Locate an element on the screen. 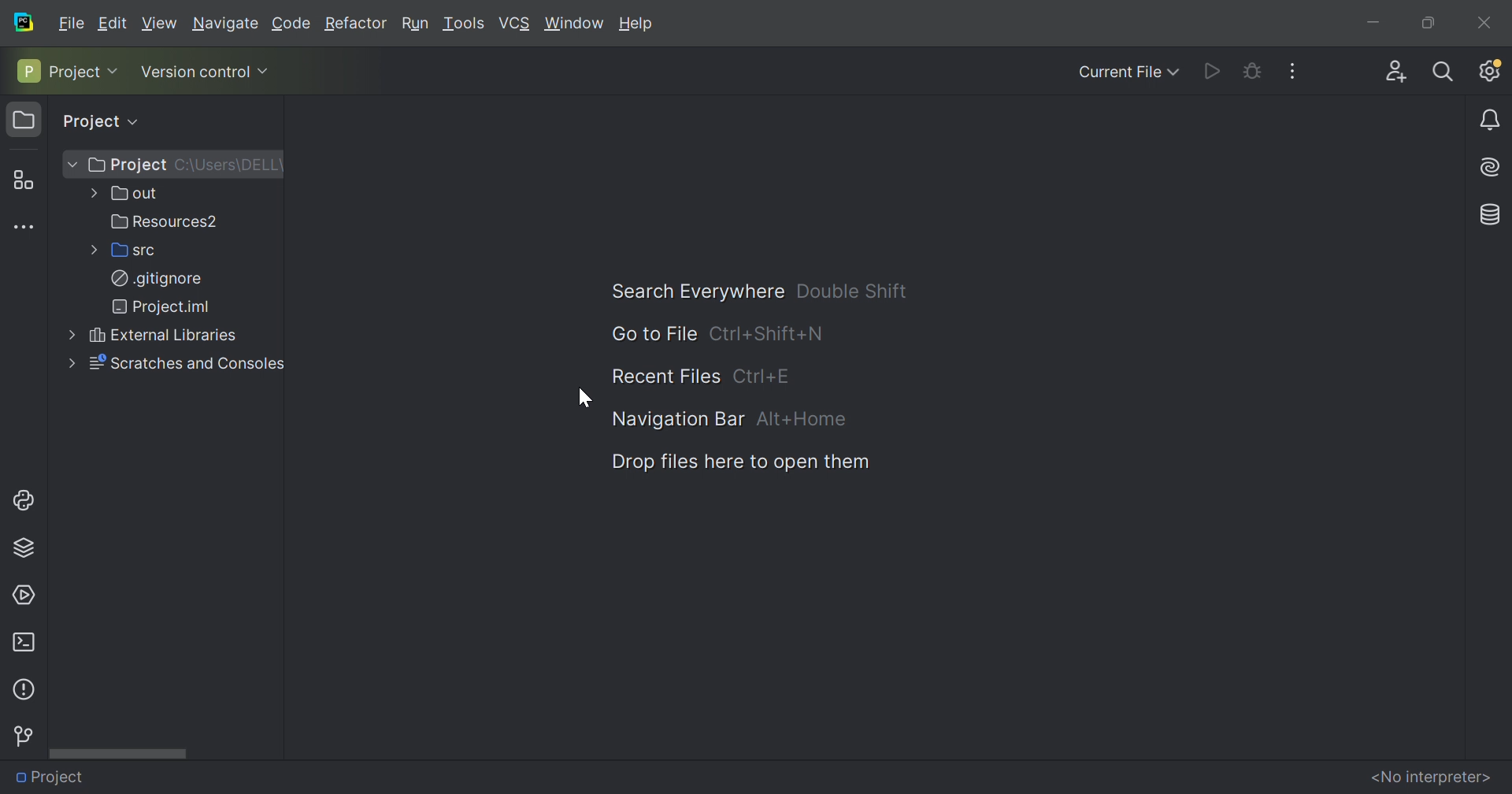  Scroll bar is located at coordinates (123, 753).